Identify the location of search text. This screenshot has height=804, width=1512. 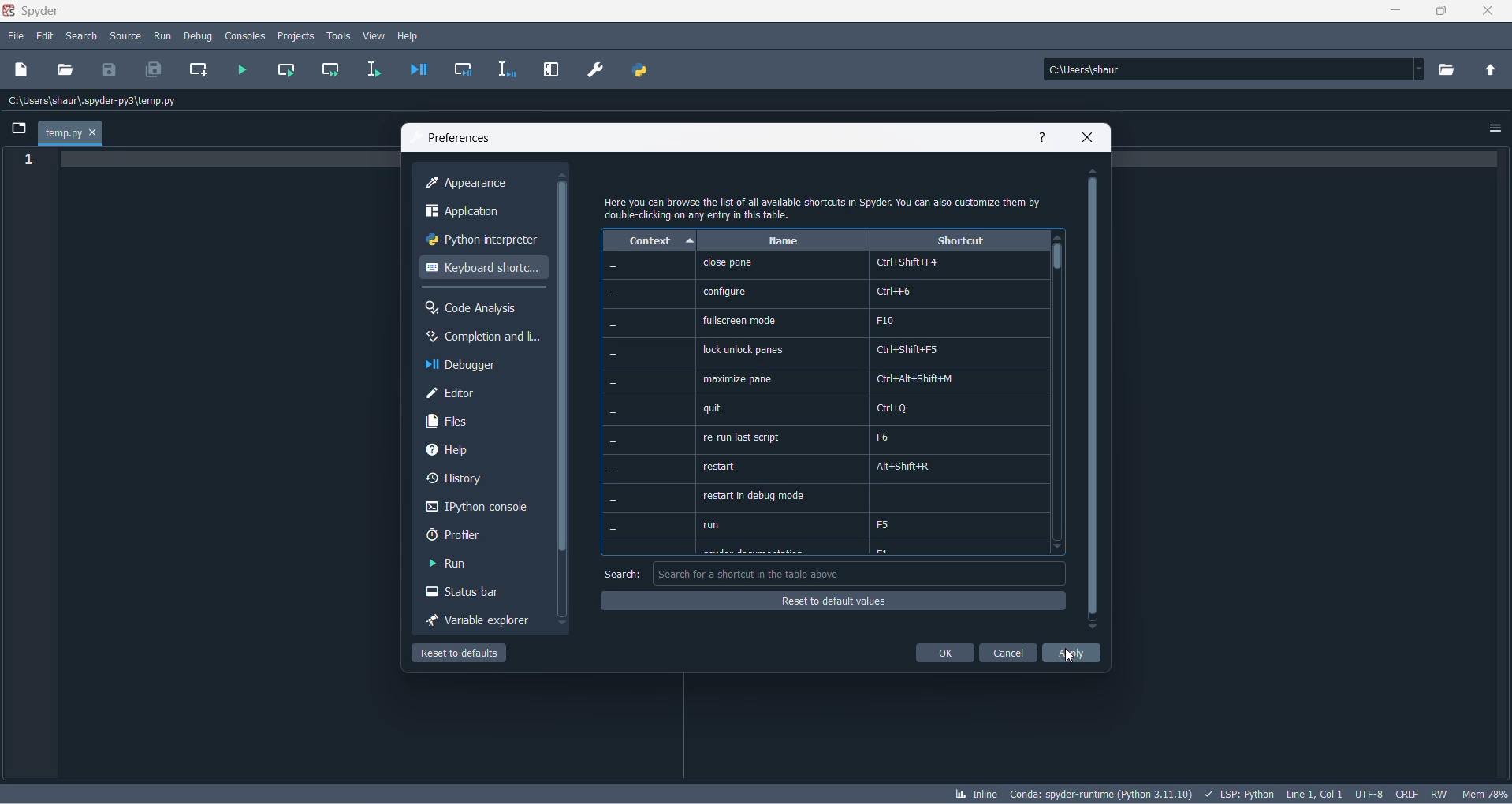
(621, 575).